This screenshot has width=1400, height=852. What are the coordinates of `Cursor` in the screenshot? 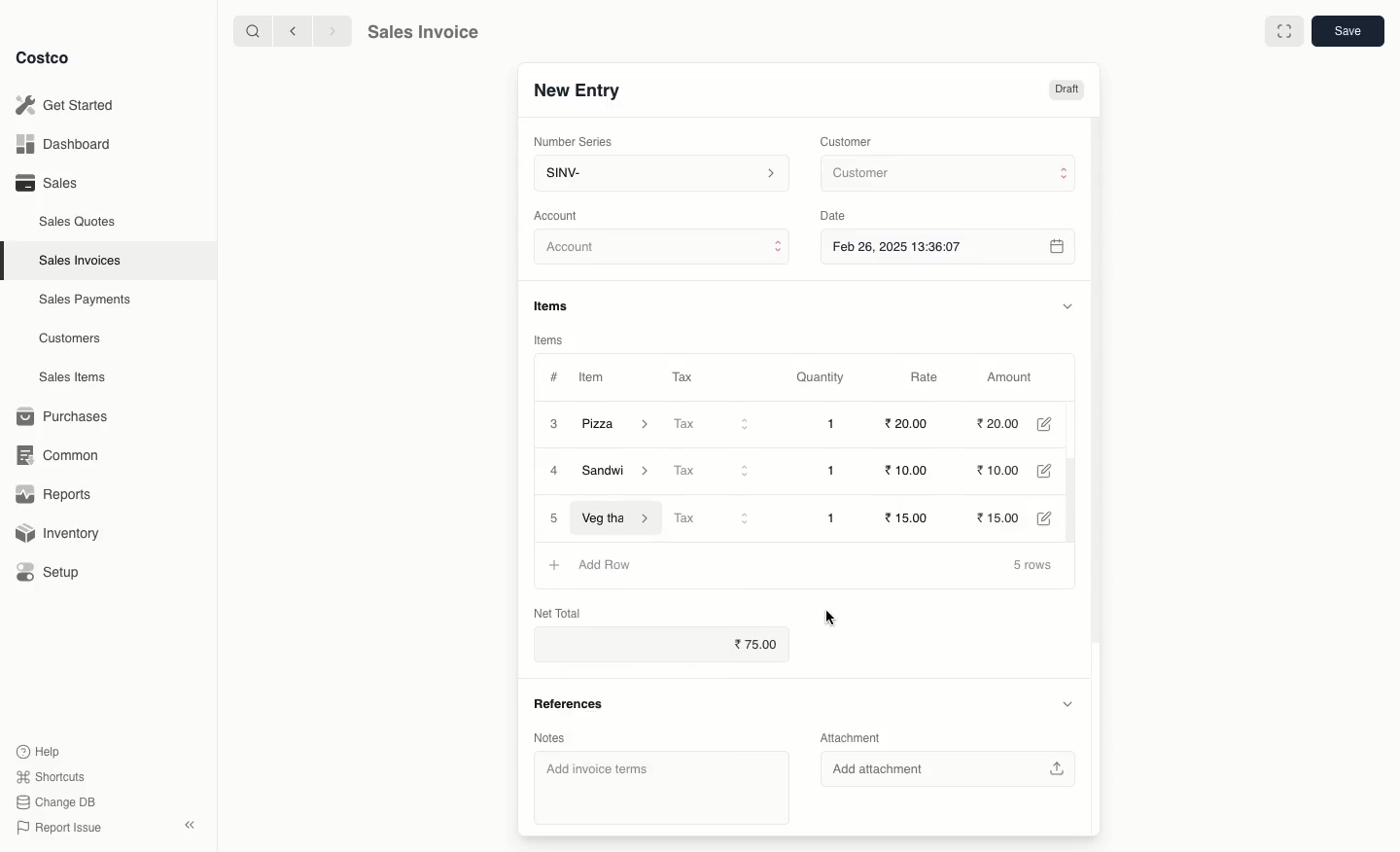 It's located at (835, 618).